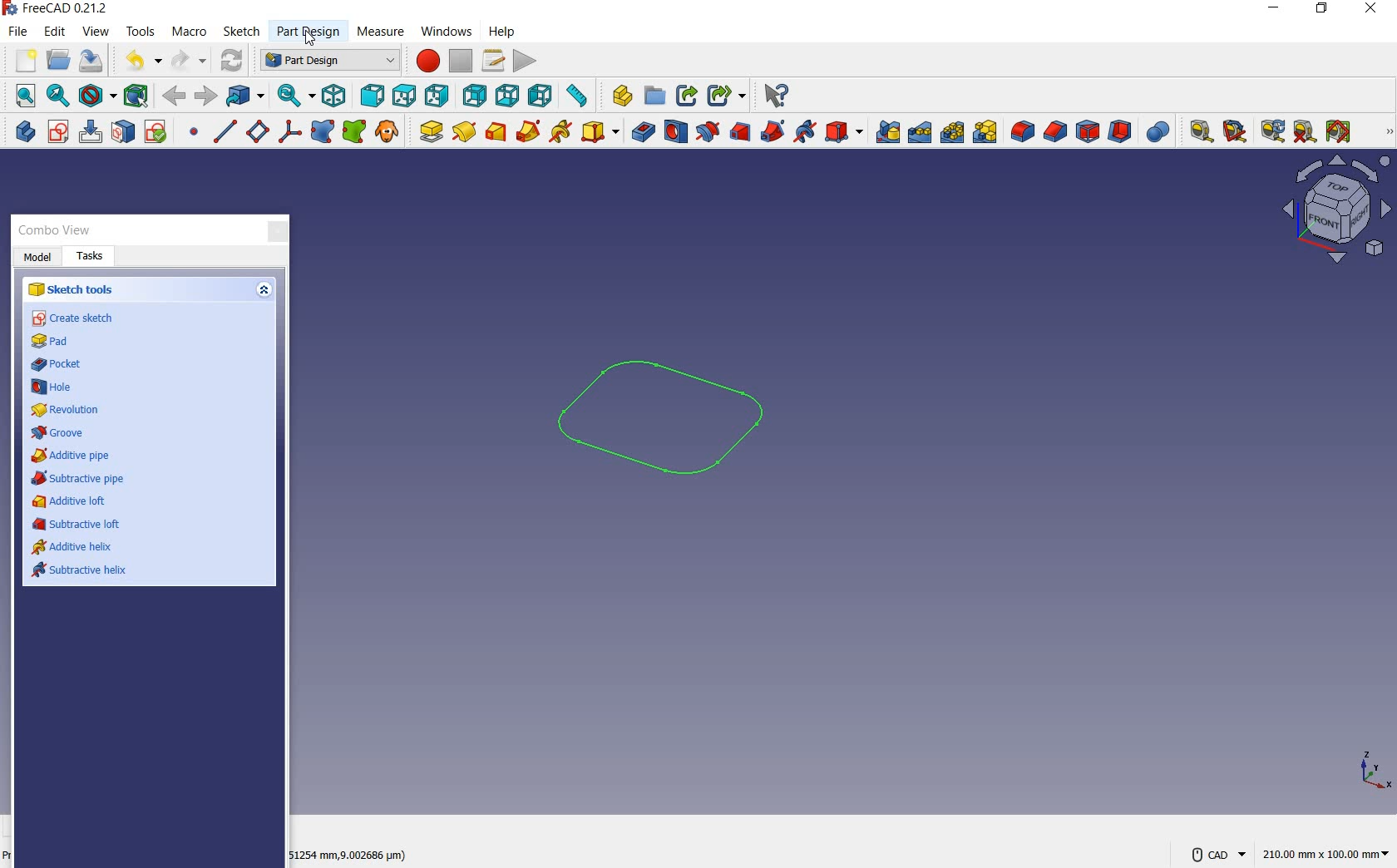  I want to click on additive loft, so click(496, 134).